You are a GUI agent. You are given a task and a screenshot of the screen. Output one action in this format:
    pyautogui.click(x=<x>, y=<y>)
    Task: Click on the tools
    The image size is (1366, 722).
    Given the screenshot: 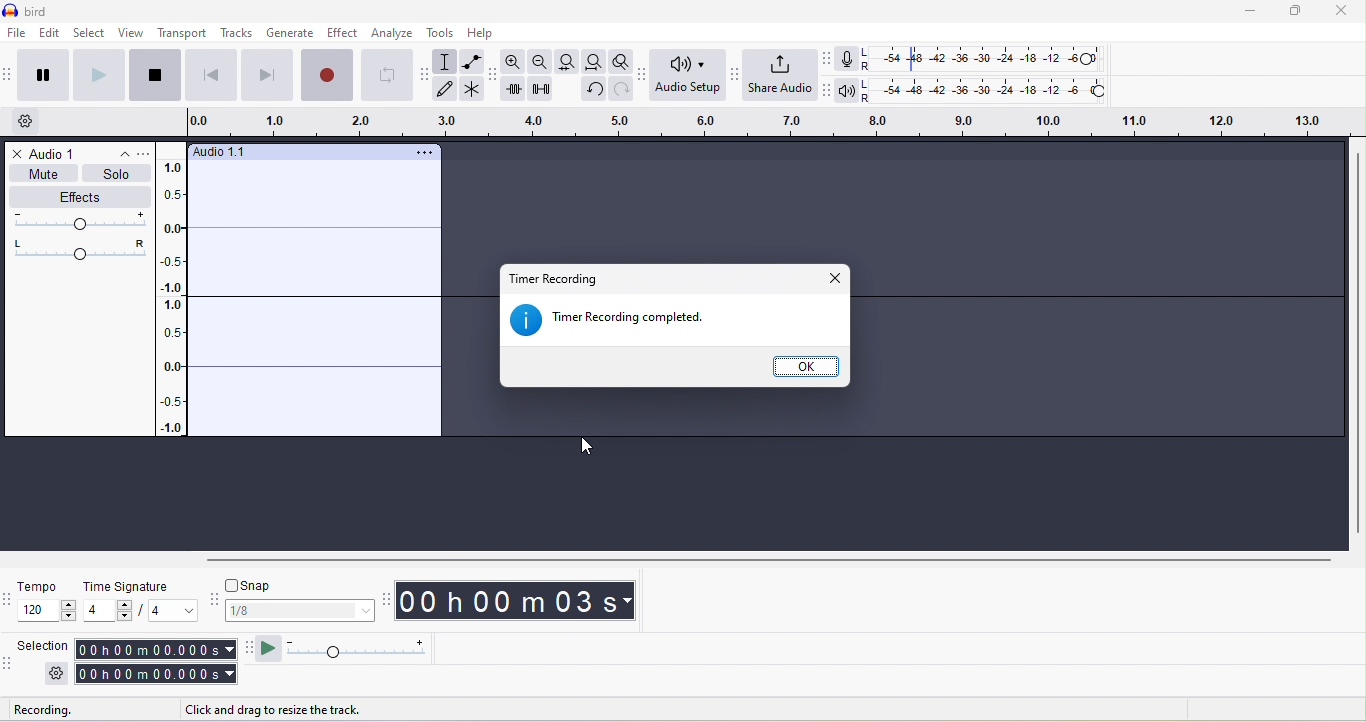 What is the action you would take?
    pyautogui.click(x=441, y=34)
    